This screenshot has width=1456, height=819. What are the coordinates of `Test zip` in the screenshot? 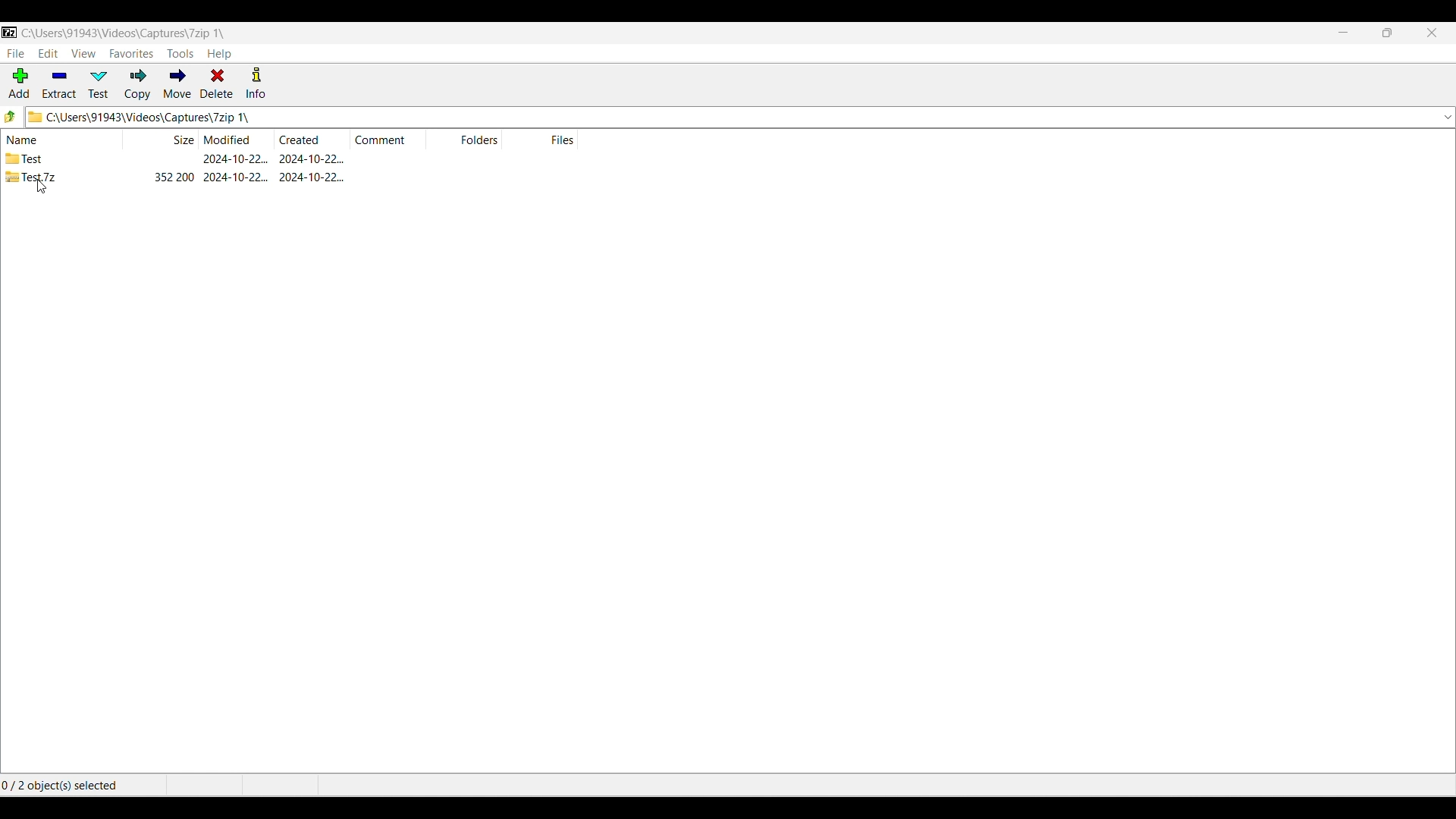 It's located at (57, 176).